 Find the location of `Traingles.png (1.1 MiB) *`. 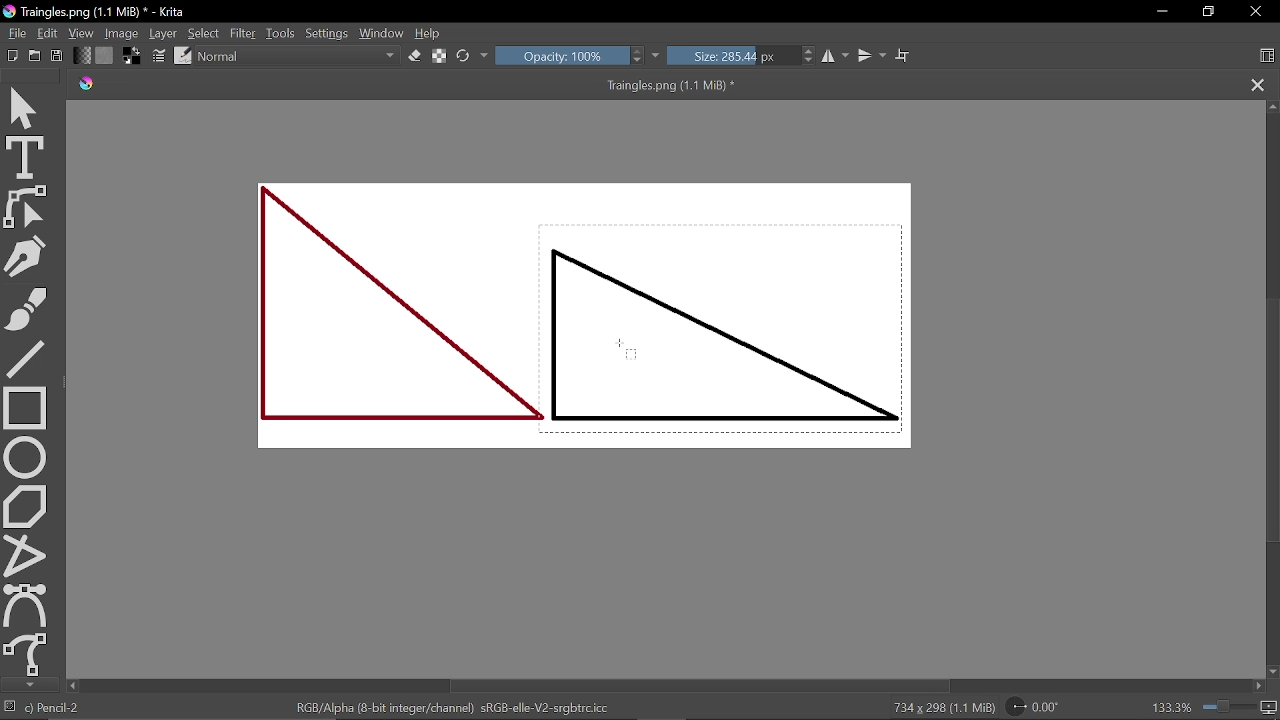

Traingles.png (1.1 MiB) * is located at coordinates (433, 85).